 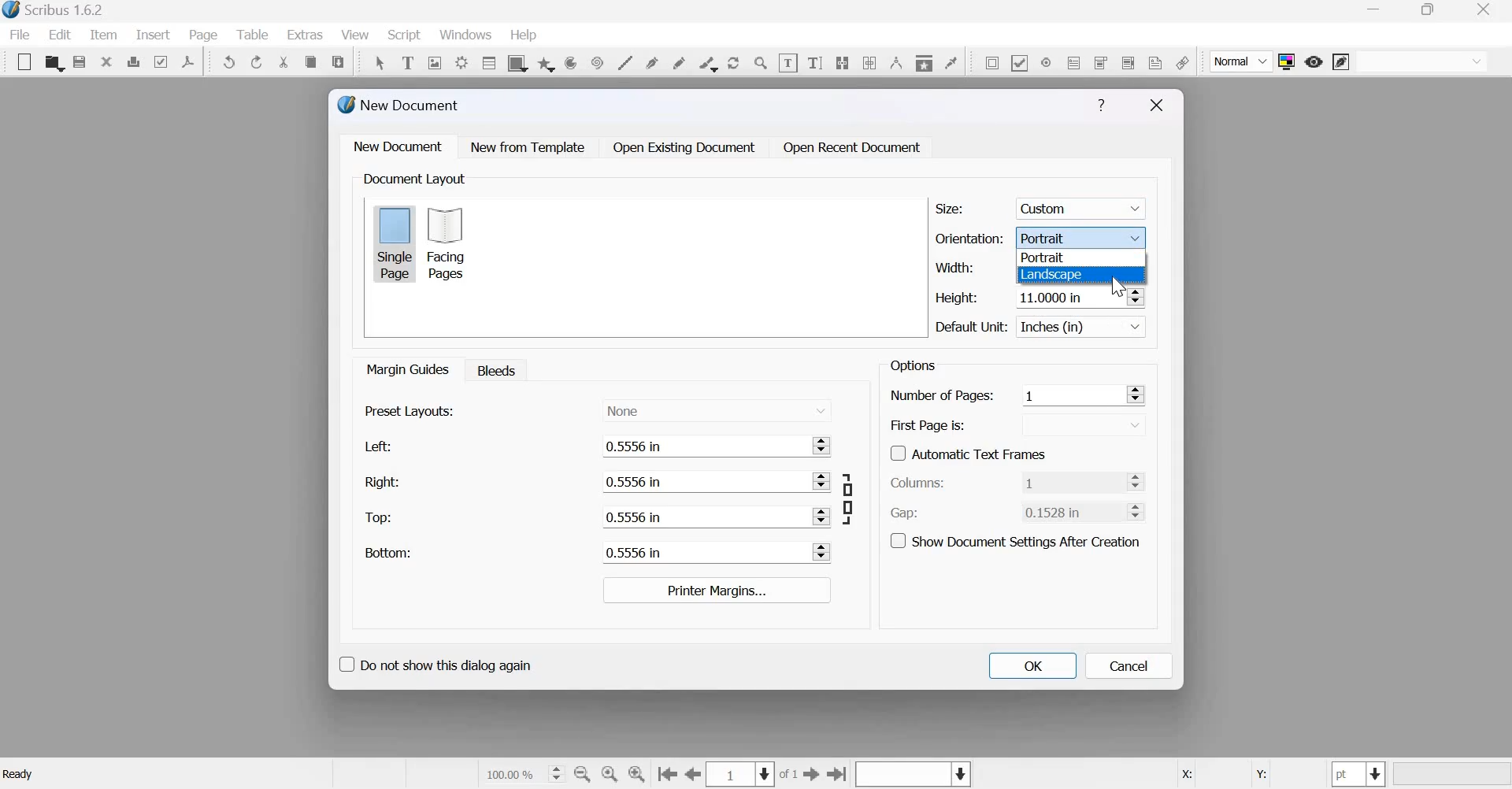 I want to click on Options, so click(x=910, y=365).